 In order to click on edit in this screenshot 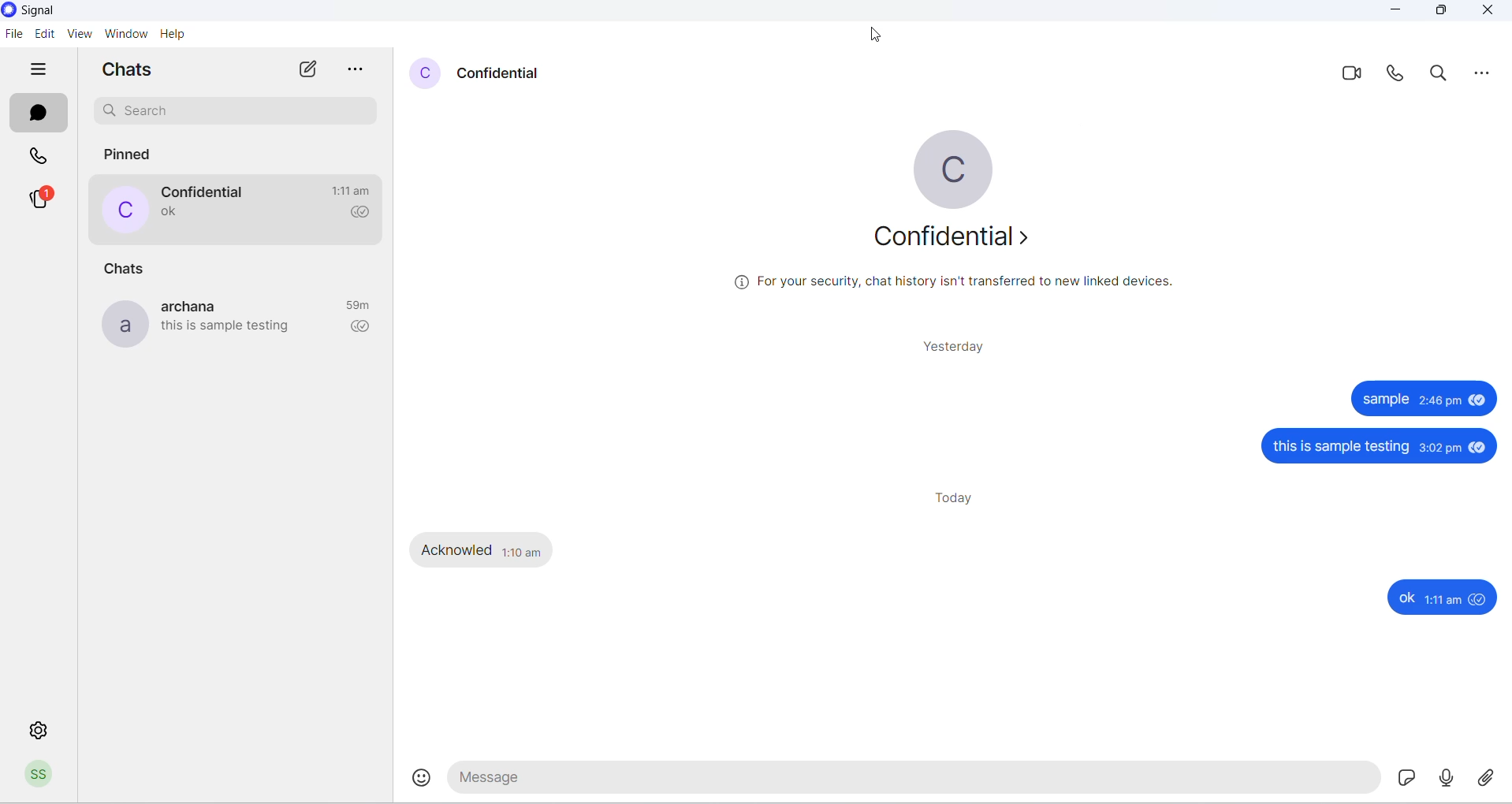, I will do `click(43, 35)`.